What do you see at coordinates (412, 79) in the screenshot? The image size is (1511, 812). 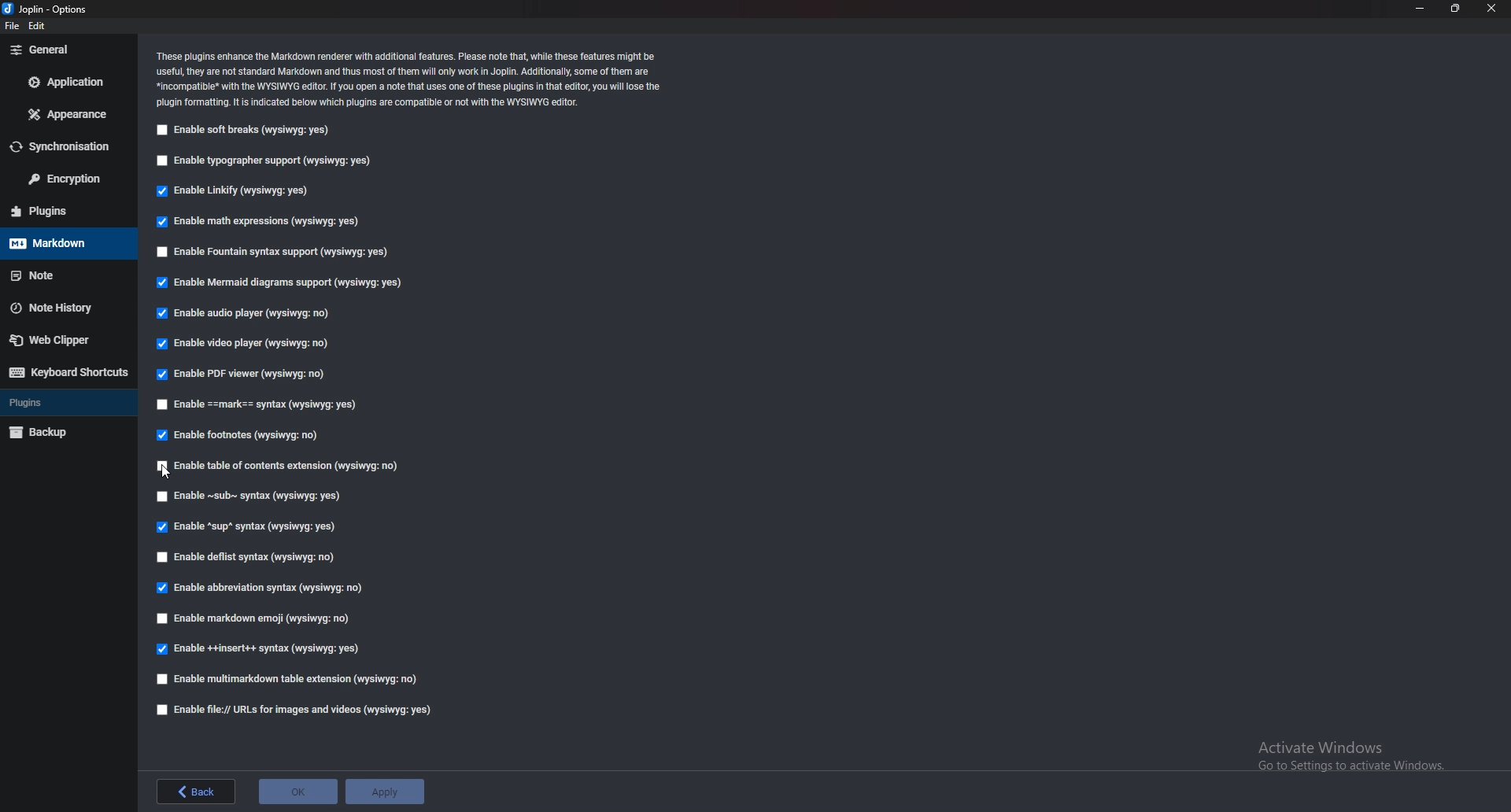 I see `‘These plugins enhance the Markdown renderer with additional features. Please note that, while these features might be
useful, they are not standard Markdown and thus most of them will only work in Joplin. Additionally, Some of them are
*incompatible* with the WYSIWYG editor. If ou open a note that uses one of these plugins in that editor, you will lose the
plugin formatting. It is indicated below which plugins are compatible or not with the WYSIWYG editor.` at bounding box center [412, 79].